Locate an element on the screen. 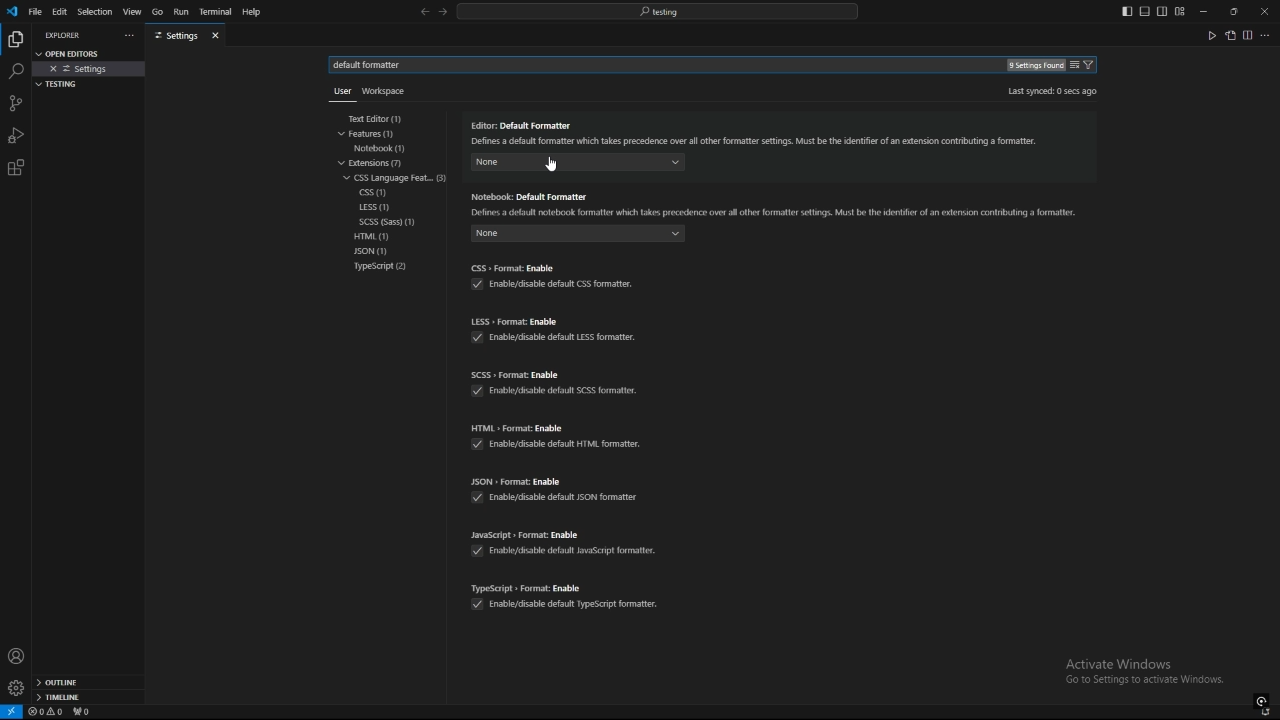 This screenshot has height=720, width=1280. extensions is located at coordinates (16, 168).